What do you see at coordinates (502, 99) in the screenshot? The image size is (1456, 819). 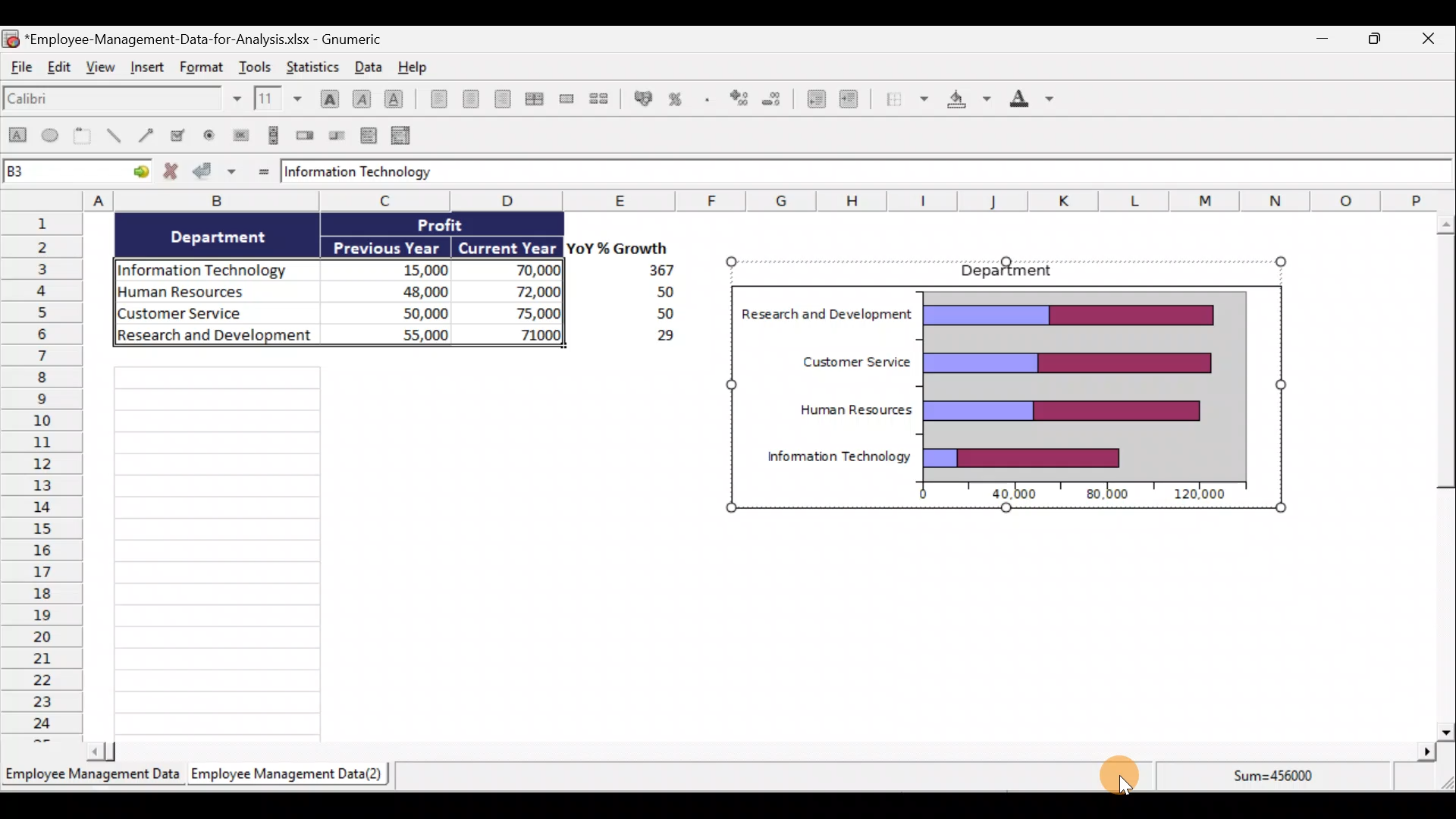 I see `Align right` at bounding box center [502, 99].